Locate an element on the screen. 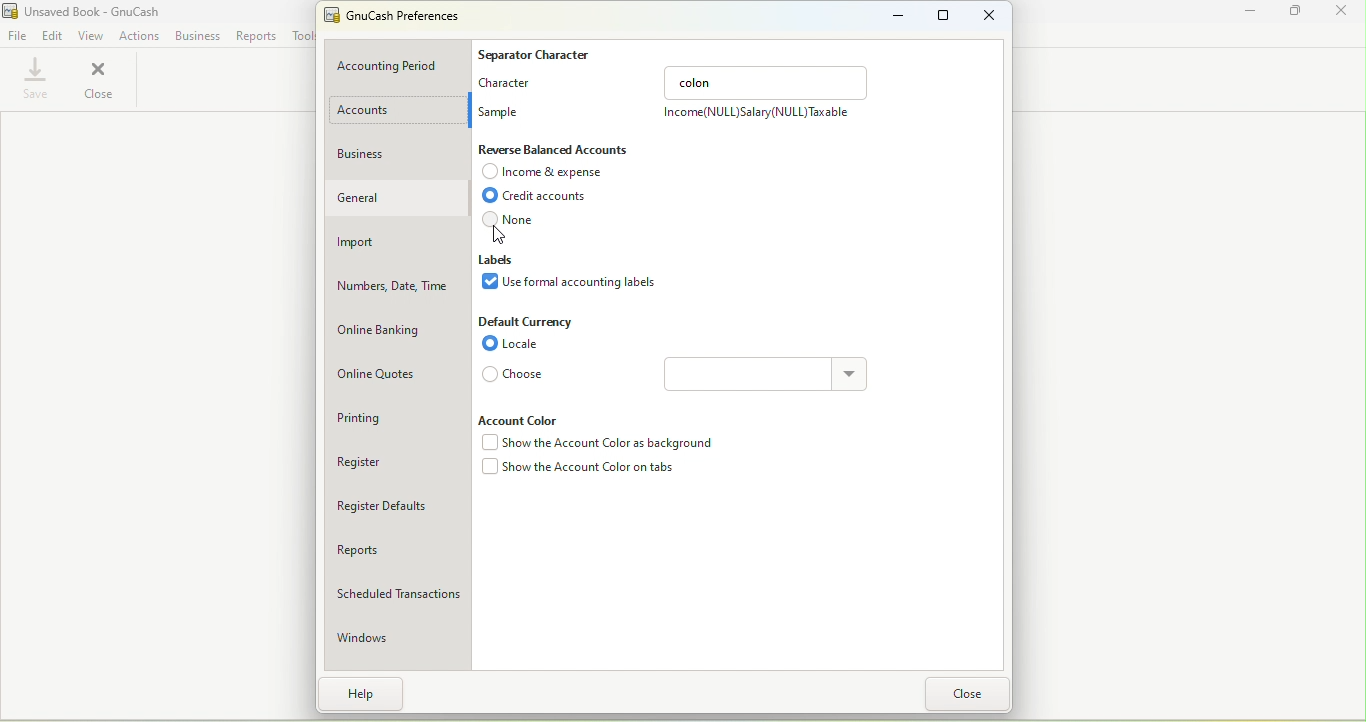 This screenshot has width=1366, height=722. Help is located at coordinates (366, 692).